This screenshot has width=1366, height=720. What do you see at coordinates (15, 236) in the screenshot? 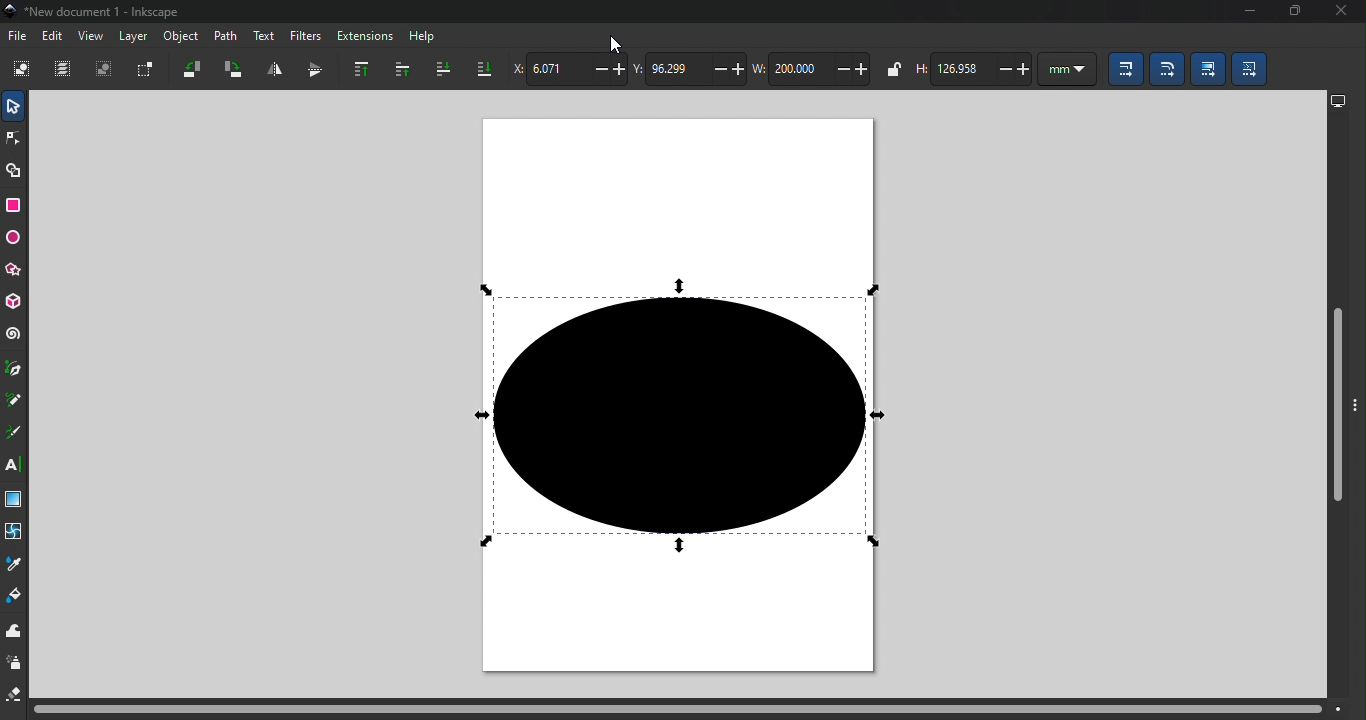
I see `Ellipse/arc tool` at bounding box center [15, 236].